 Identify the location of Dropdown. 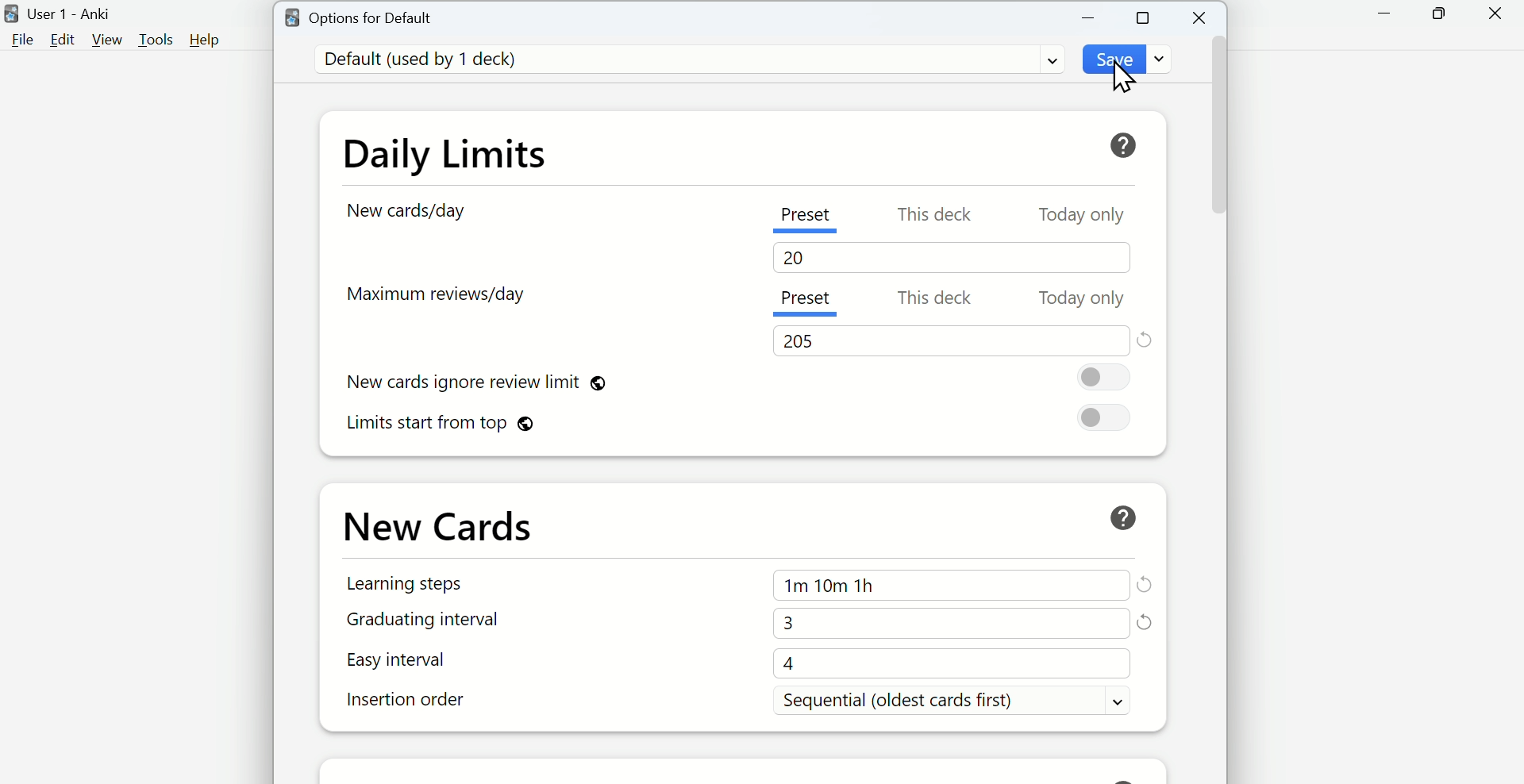
(1043, 62).